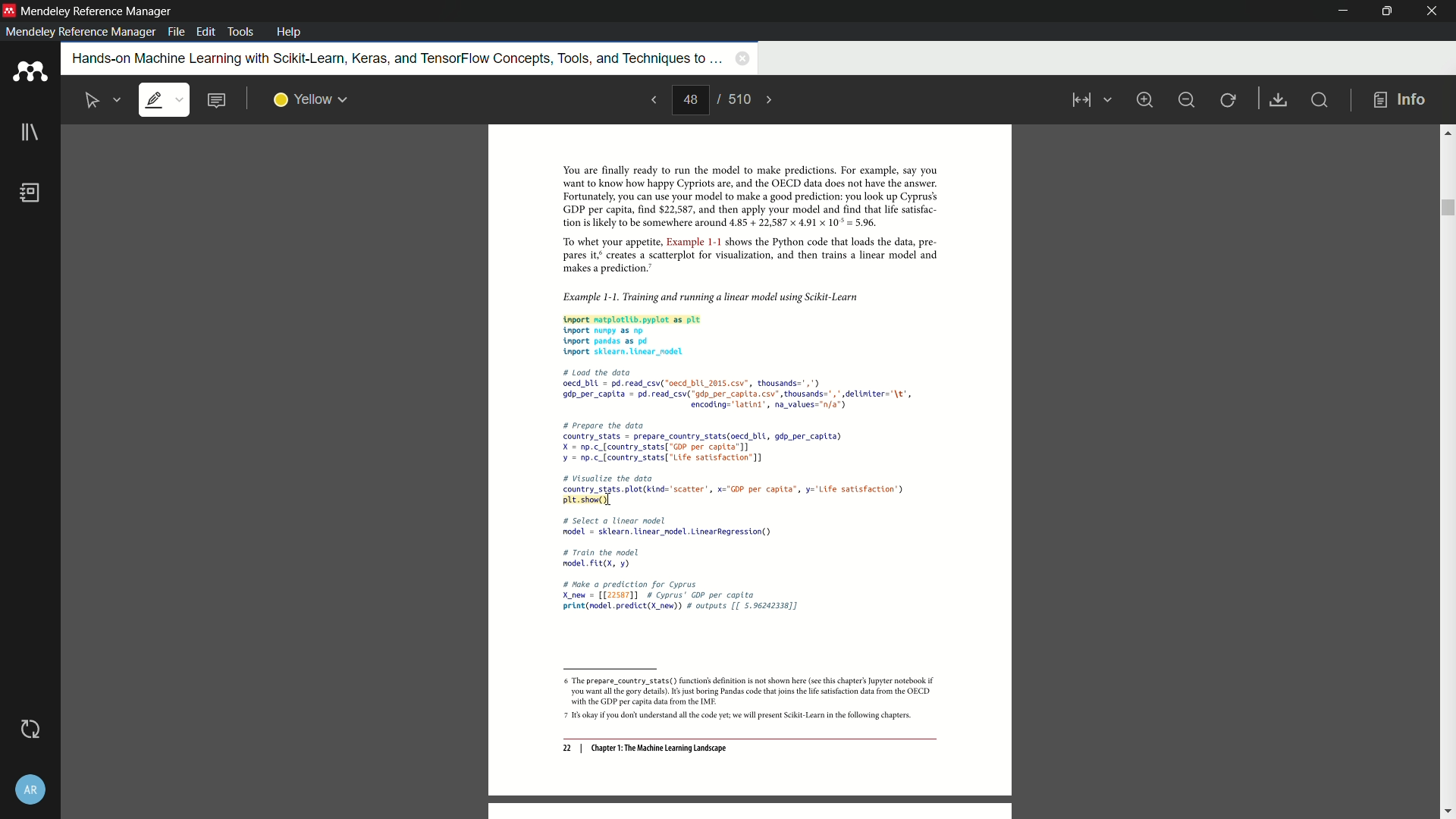  Describe the element at coordinates (770, 100) in the screenshot. I see `next page` at that location.